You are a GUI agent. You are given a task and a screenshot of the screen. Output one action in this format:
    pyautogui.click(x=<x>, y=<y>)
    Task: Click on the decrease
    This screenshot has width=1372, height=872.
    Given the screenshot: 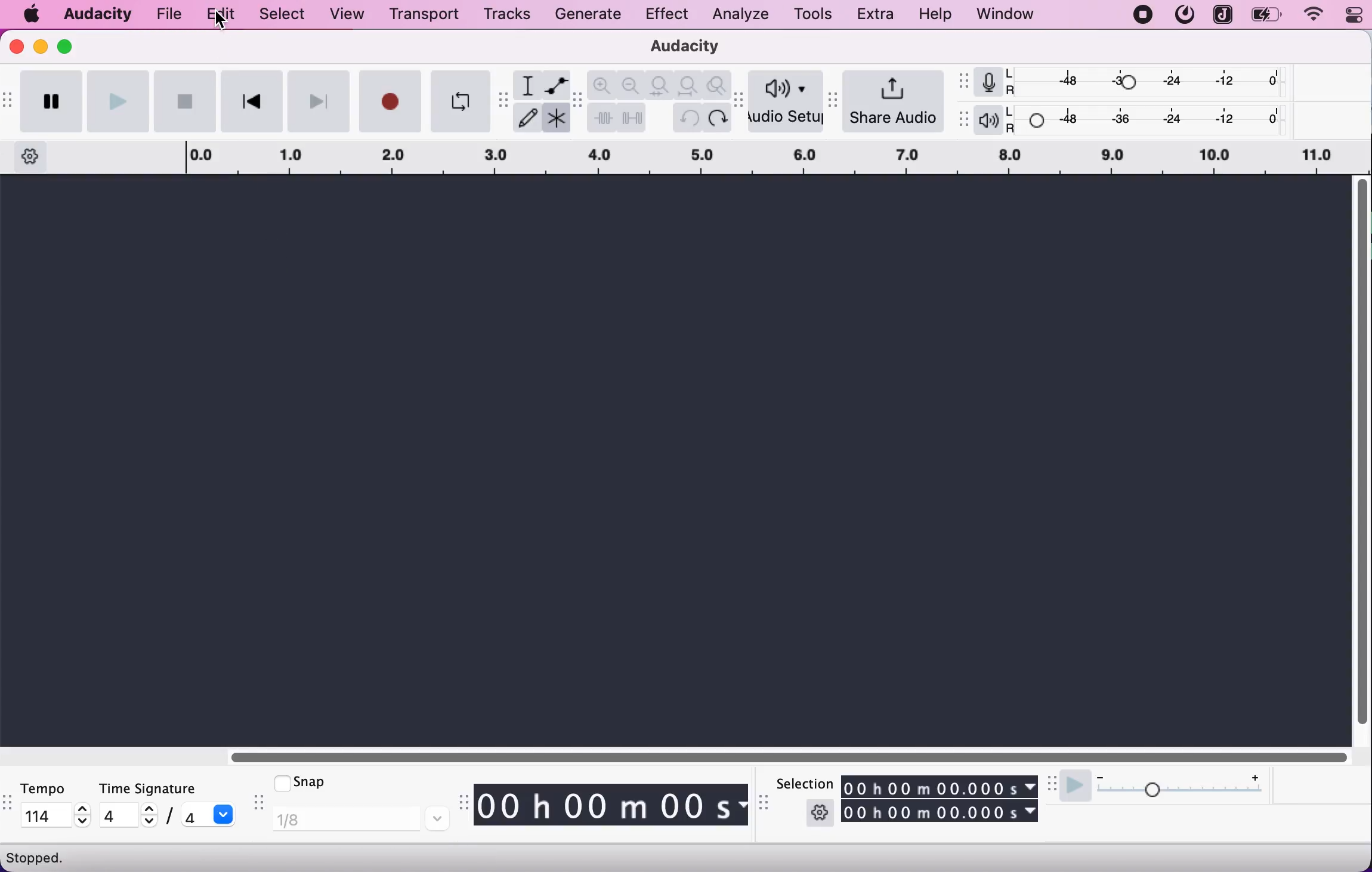 What is the action you would take?
    pyautogui.click(x=147, y=823)
    